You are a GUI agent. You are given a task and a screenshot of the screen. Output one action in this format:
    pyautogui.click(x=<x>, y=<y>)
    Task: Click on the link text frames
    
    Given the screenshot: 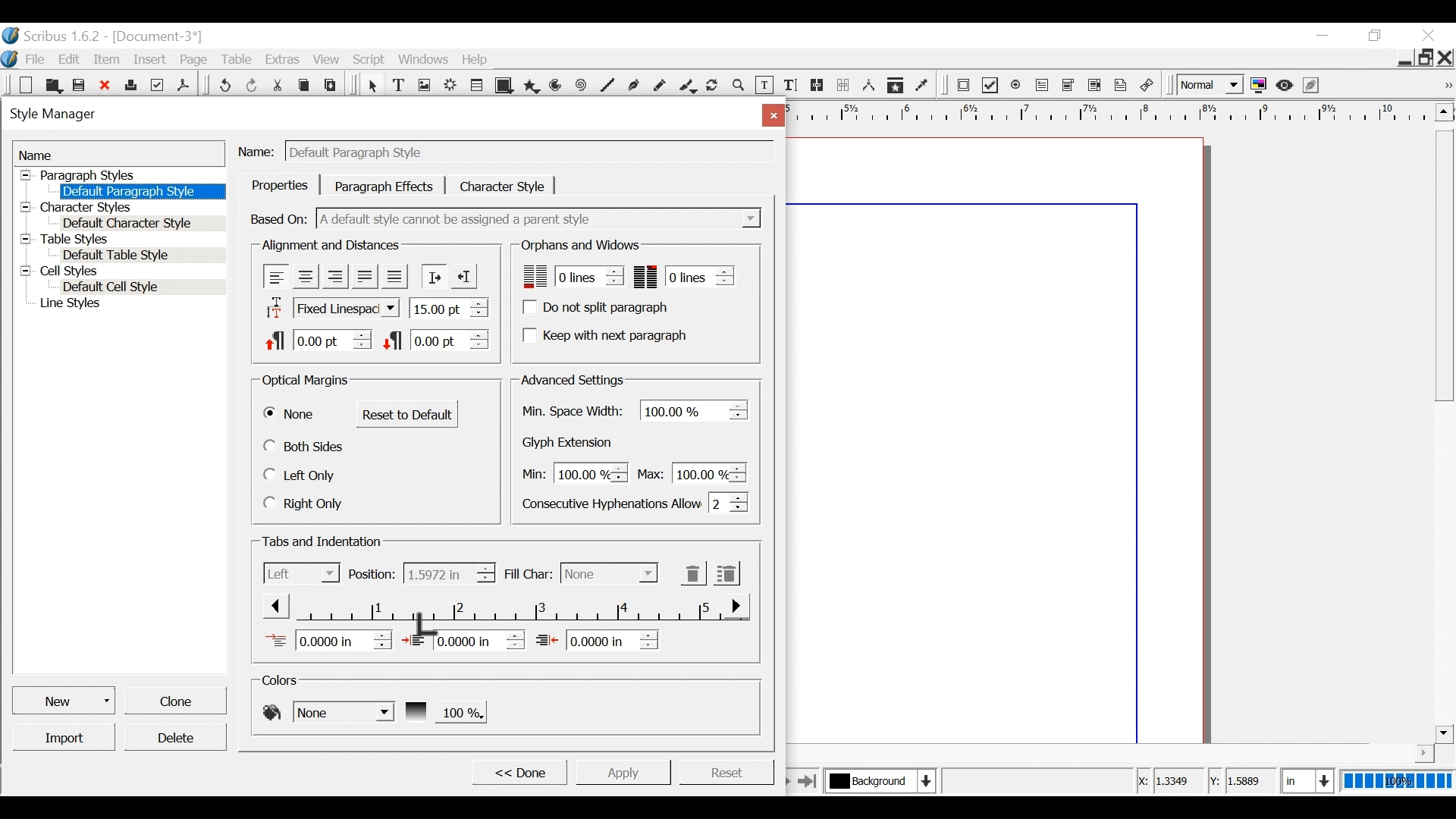 What is the action you would take?
    pyautogui.click(x=817, y=86)
    